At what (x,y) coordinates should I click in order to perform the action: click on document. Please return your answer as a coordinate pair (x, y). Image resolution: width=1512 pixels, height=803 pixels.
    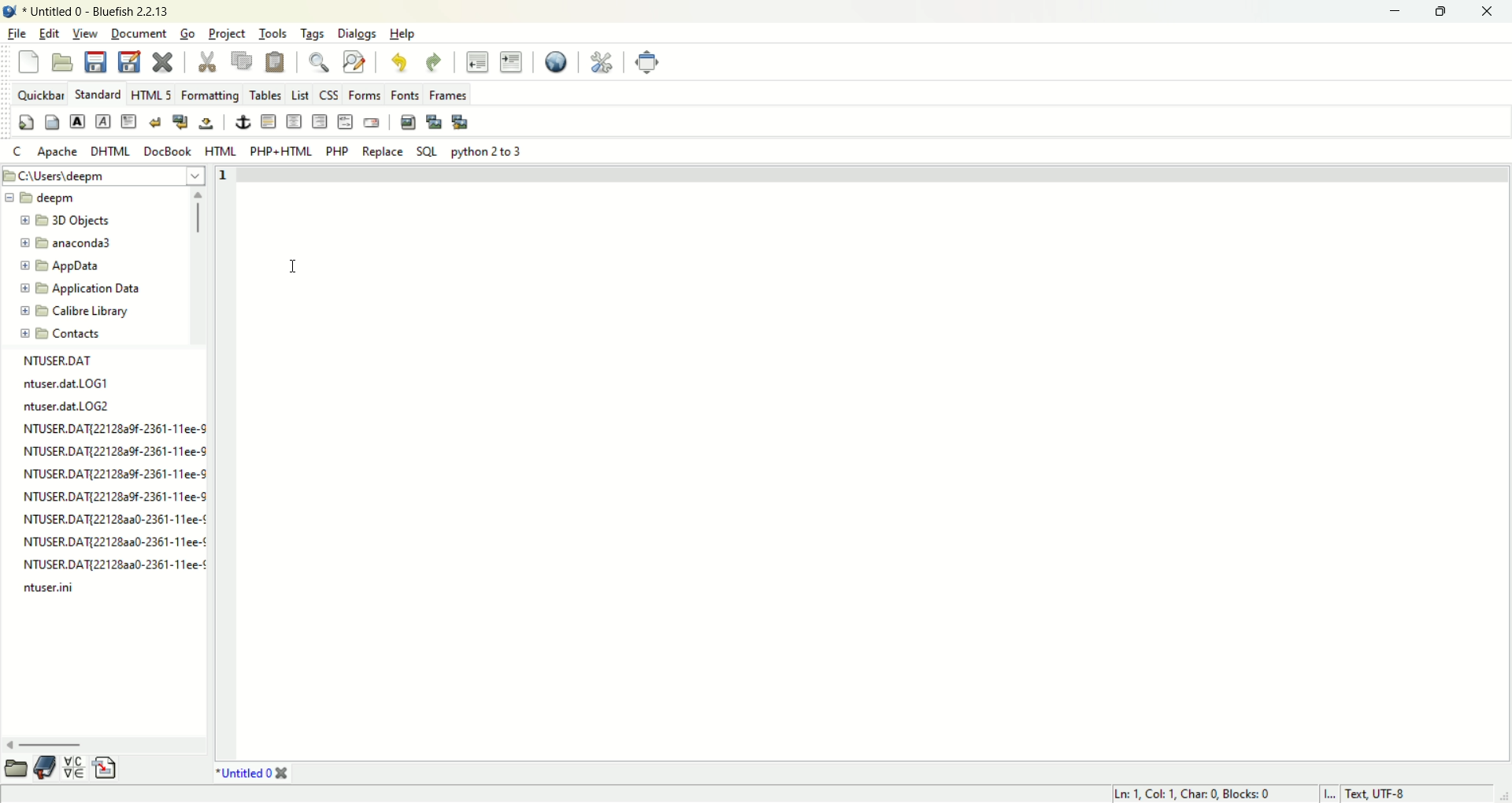
    Looking at the image, I should click on (138, 34).